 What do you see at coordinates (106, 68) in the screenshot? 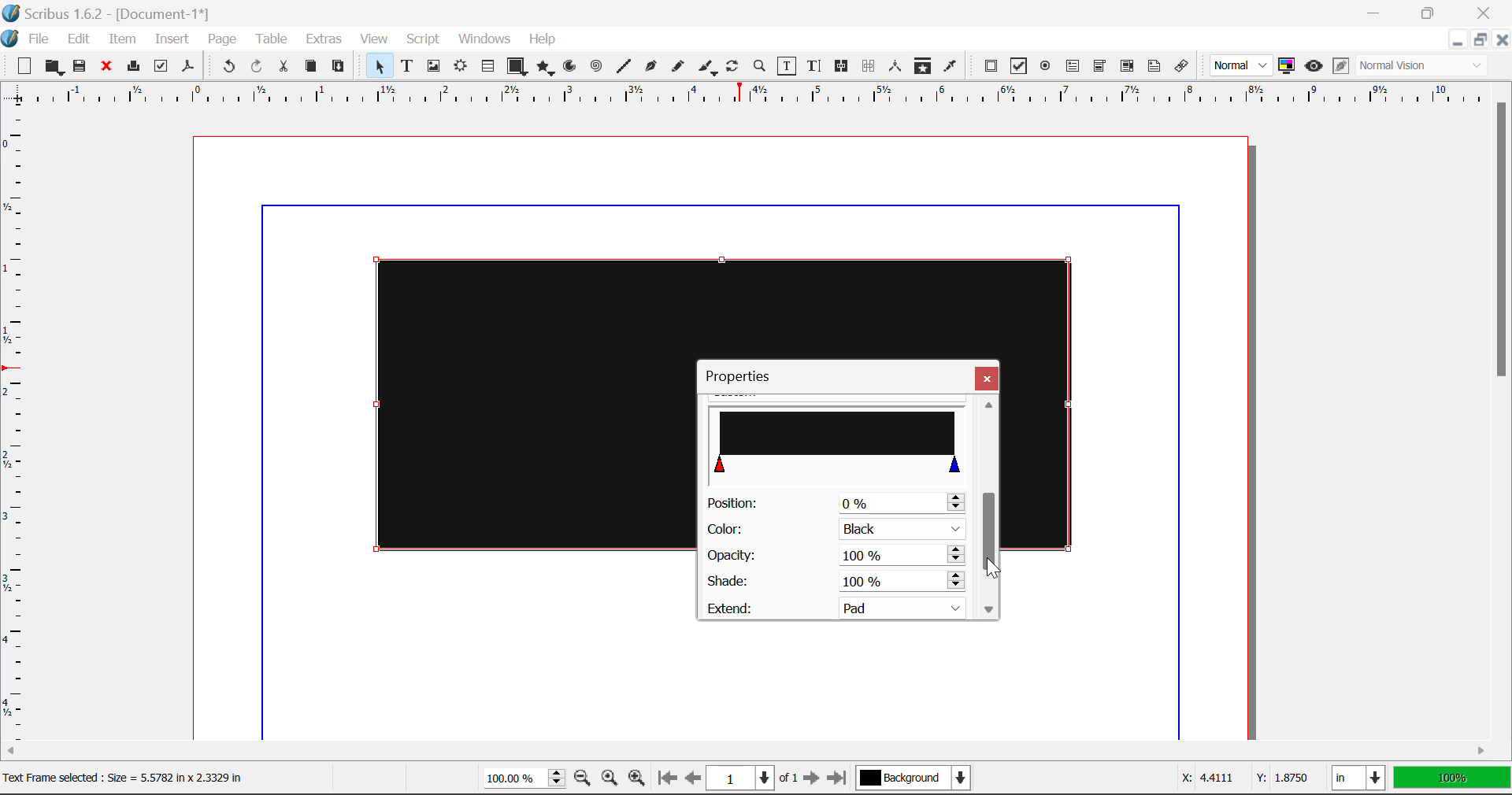
I see `Discard` at bounding box center [106, 68].